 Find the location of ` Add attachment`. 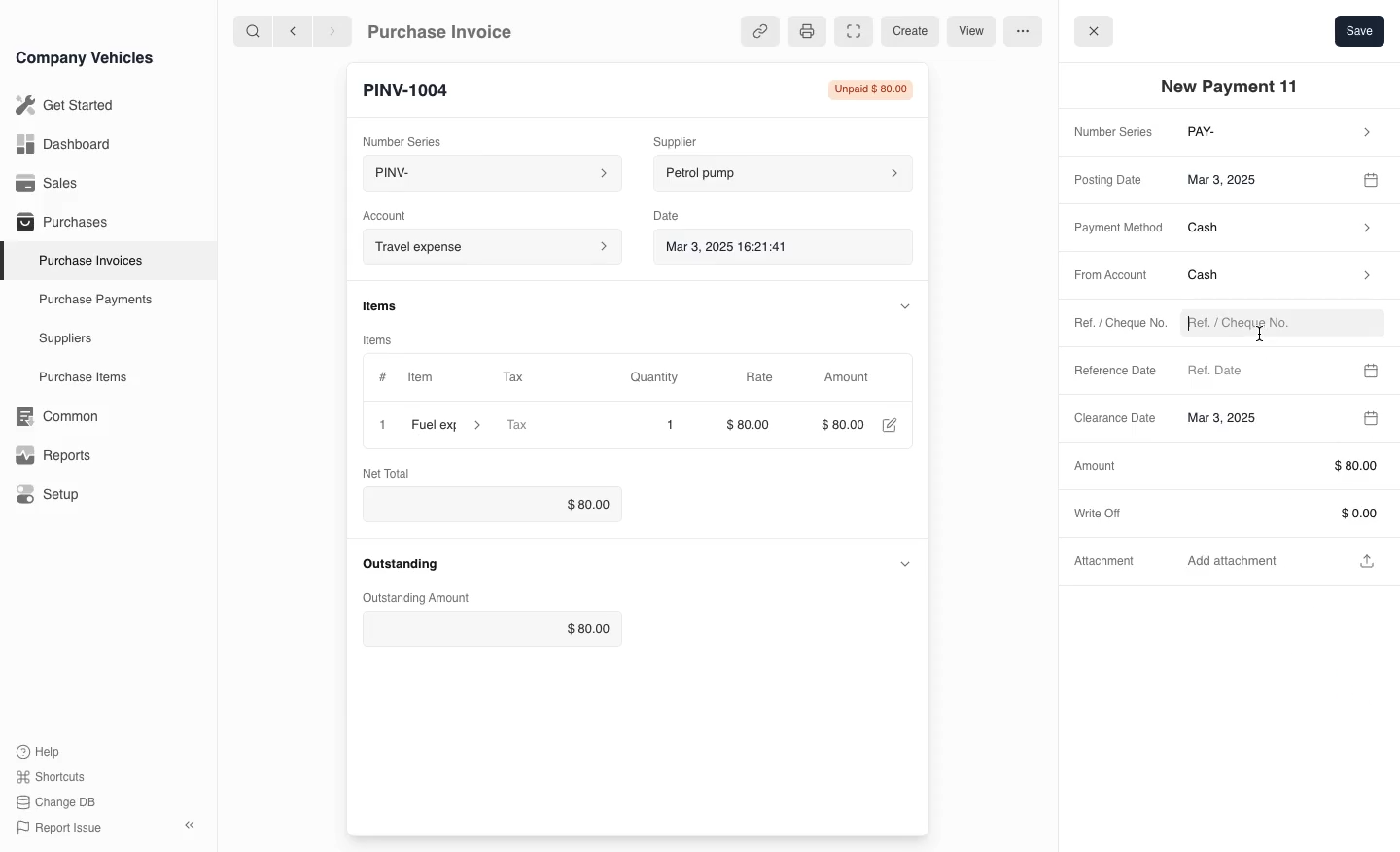

 Add attachment is located at coordinates (1283, 559).